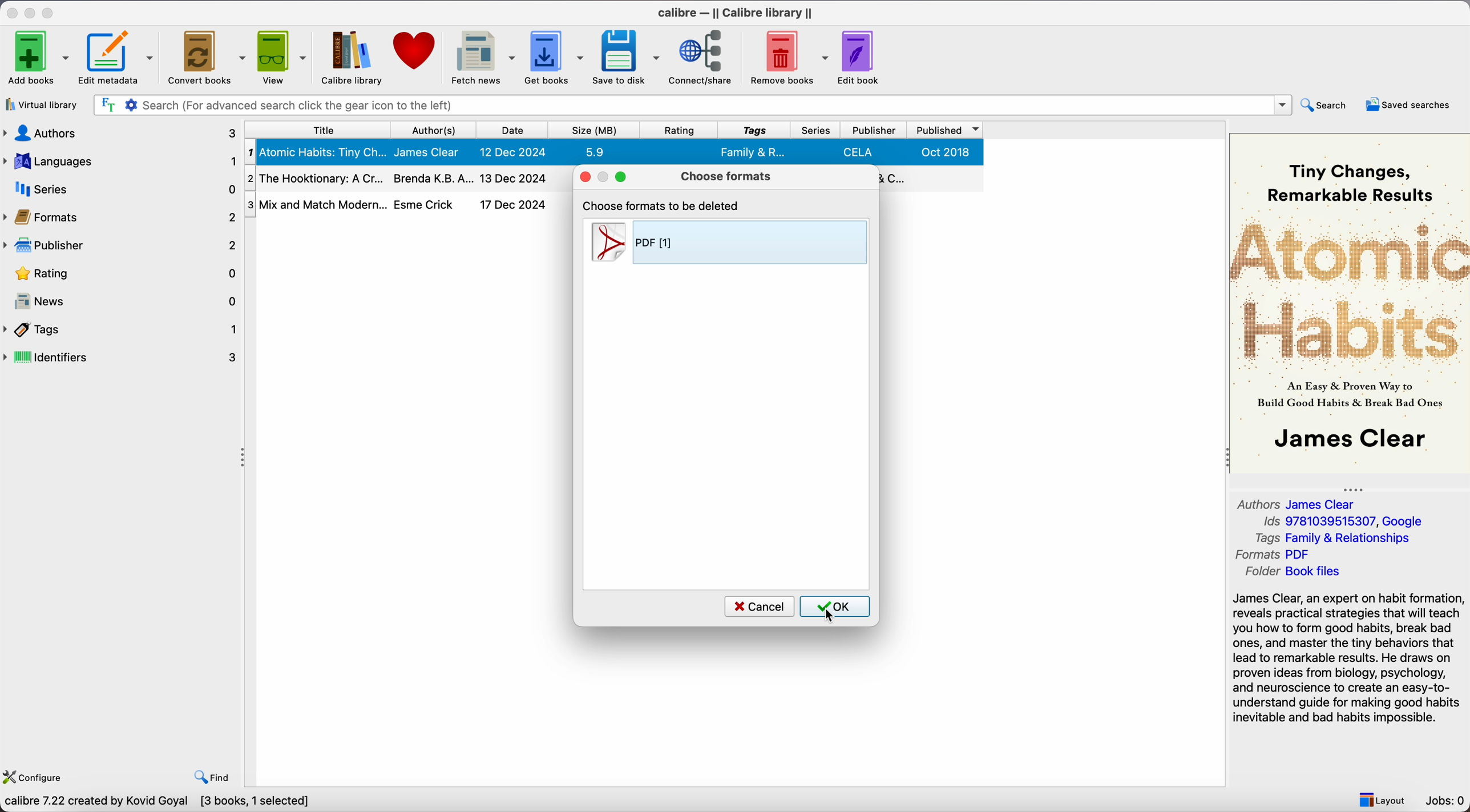 The width and height of the screenshot is (1470, 812). What do you see at coordinates (660, 204) in the screenshot?
I see `choose formats to be deleted` at bounding box center [660, 204].